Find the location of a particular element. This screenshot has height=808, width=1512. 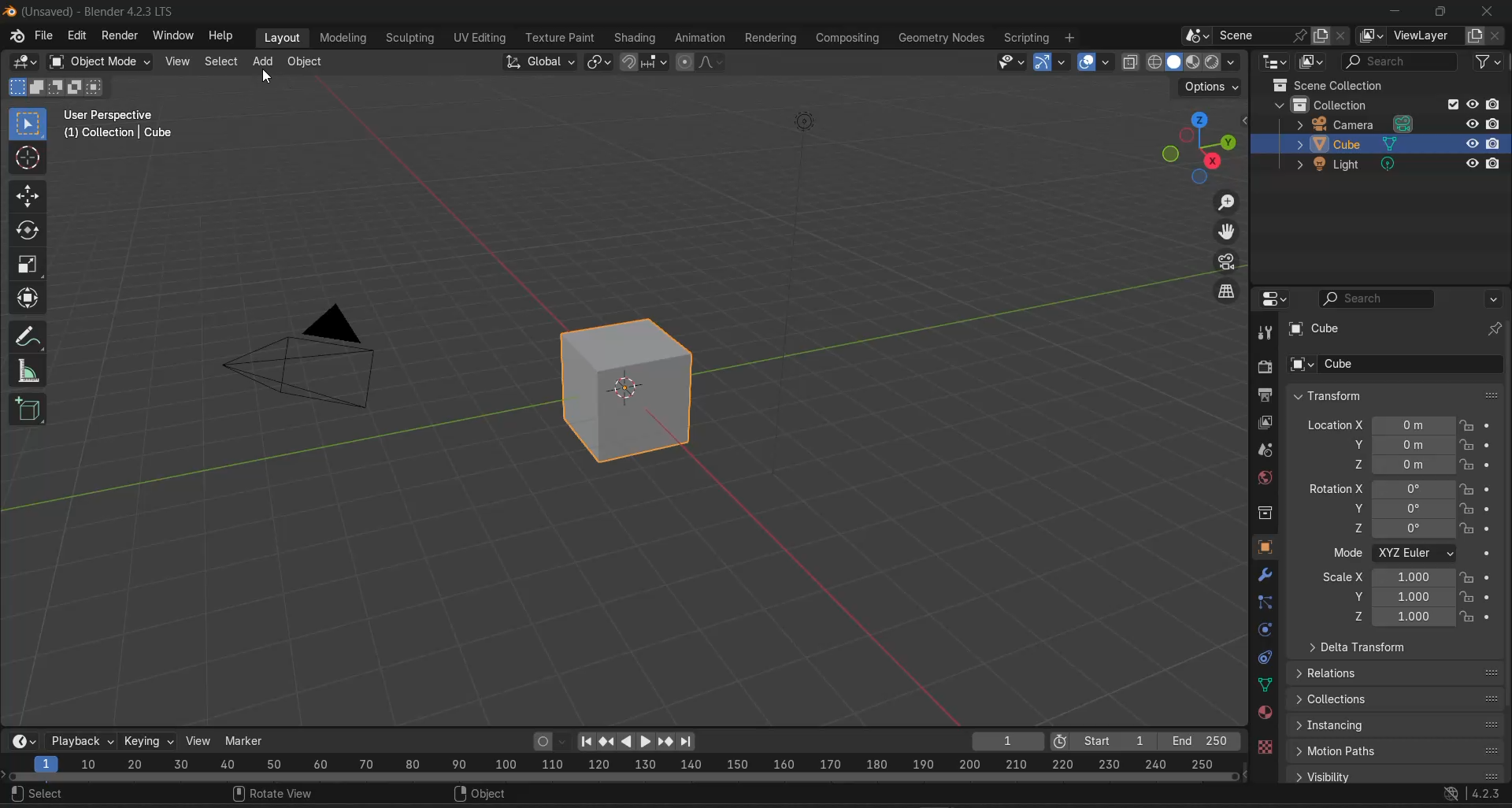

toggle camera view is located at coordinates (1230, 262).